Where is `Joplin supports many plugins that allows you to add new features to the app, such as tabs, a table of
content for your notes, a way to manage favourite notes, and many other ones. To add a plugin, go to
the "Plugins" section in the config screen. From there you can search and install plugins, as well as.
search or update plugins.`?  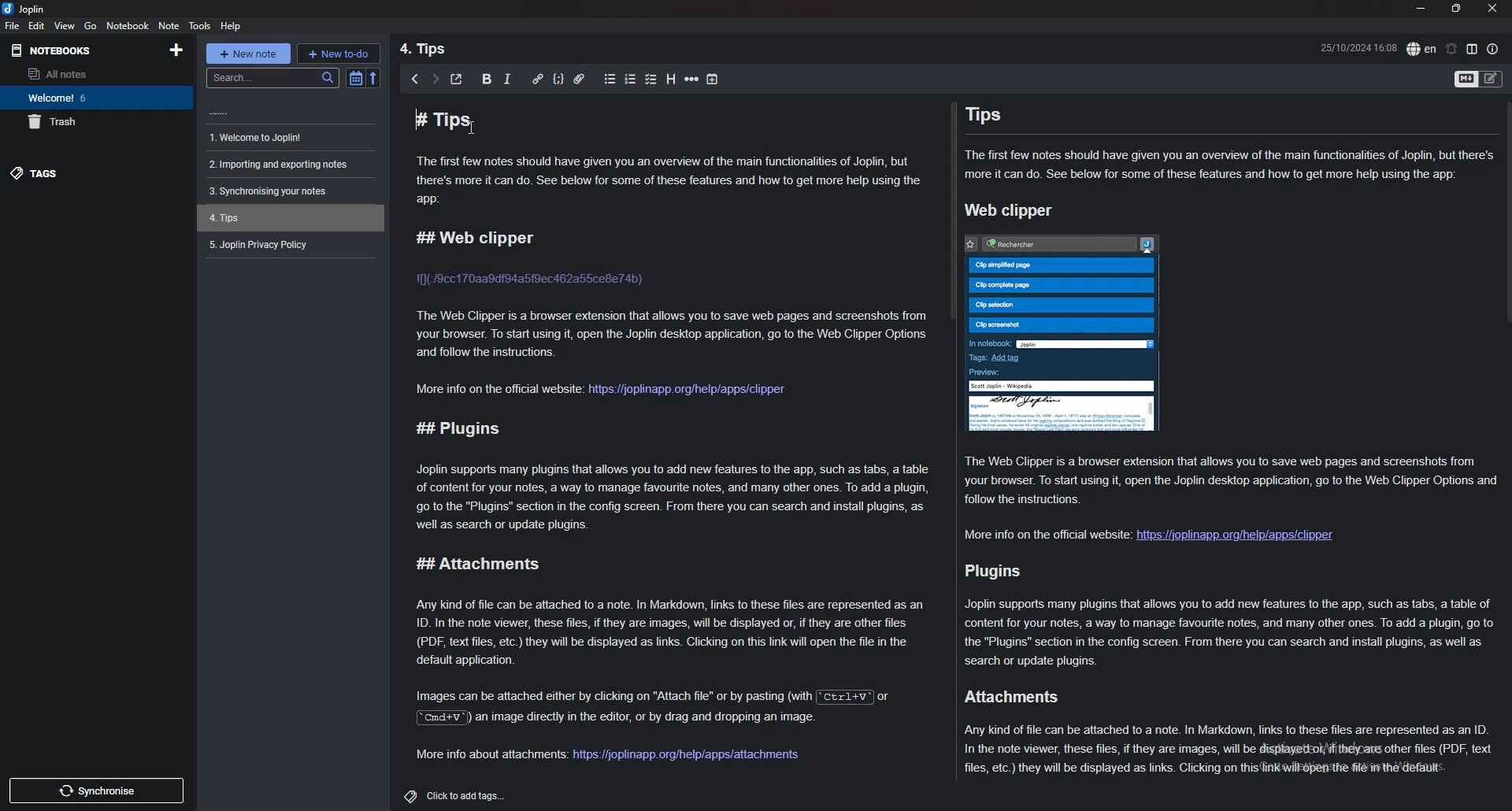 Joplin supports many plugins that allows you to add new features to the app, such as tabs, a table of
content for your notes, a way to manage favourite notes, and many other ones. To add a plugin, go to
the "Plugins" section in the config screen. From there you can search and install plugins, as well as.
search or update plugins. is located at coordinates (1230, 630).